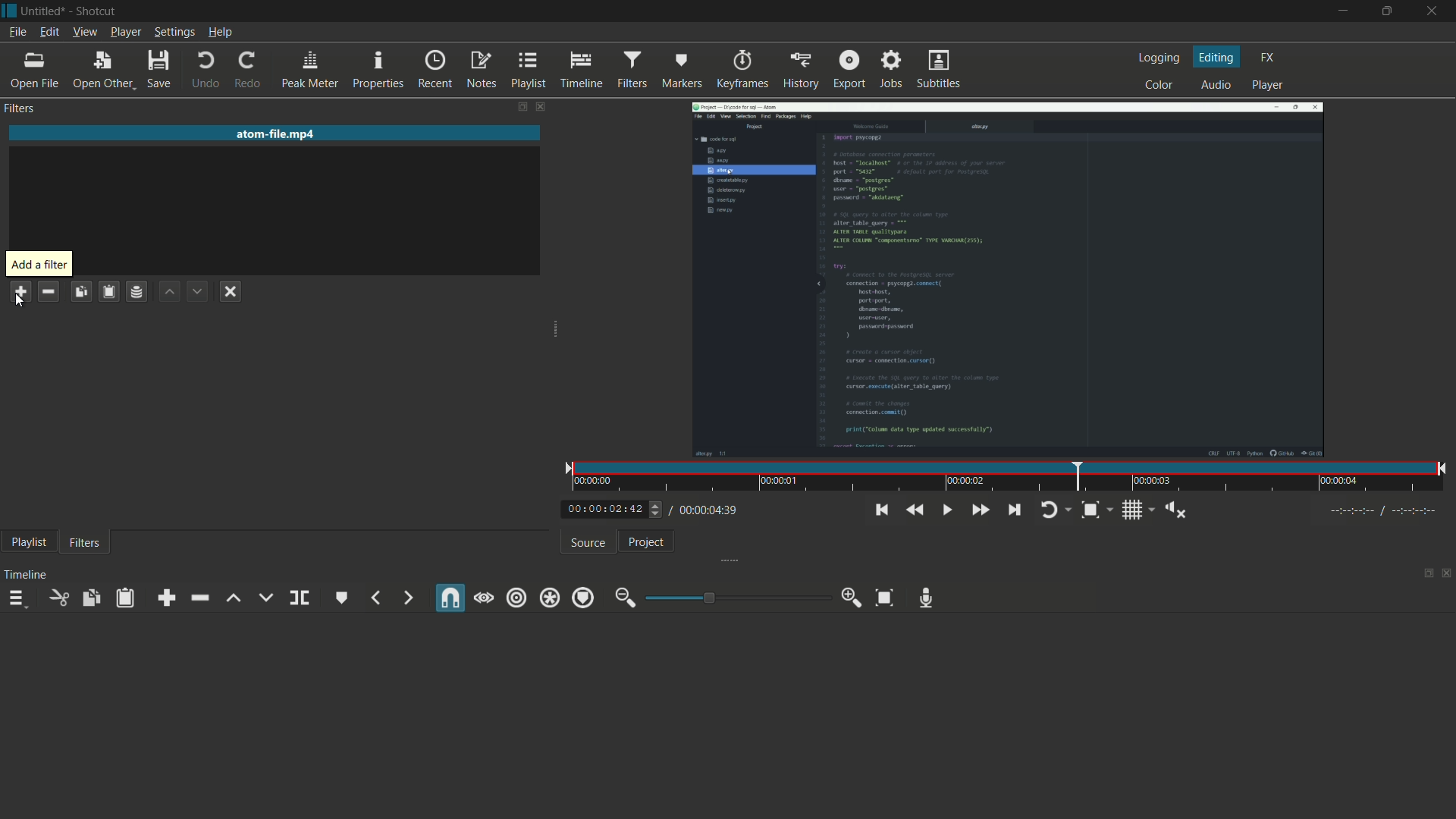 The width and height of the screenshot is (1456, 819). What do you see at coordinates (1338, 12) in the screenshot?
I see `minimize` at bounding box center [1338, 12].